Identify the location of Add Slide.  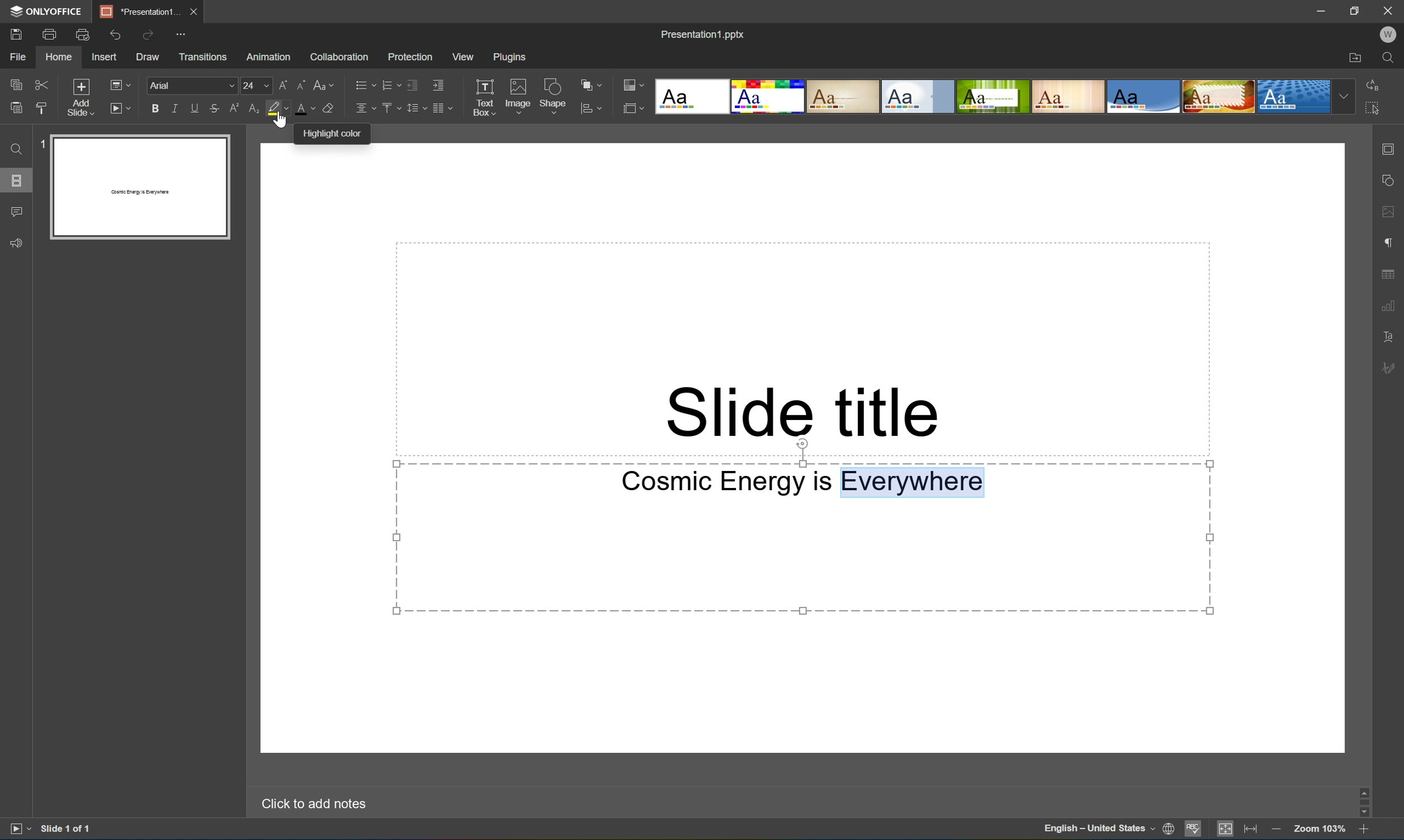
(82, 98).